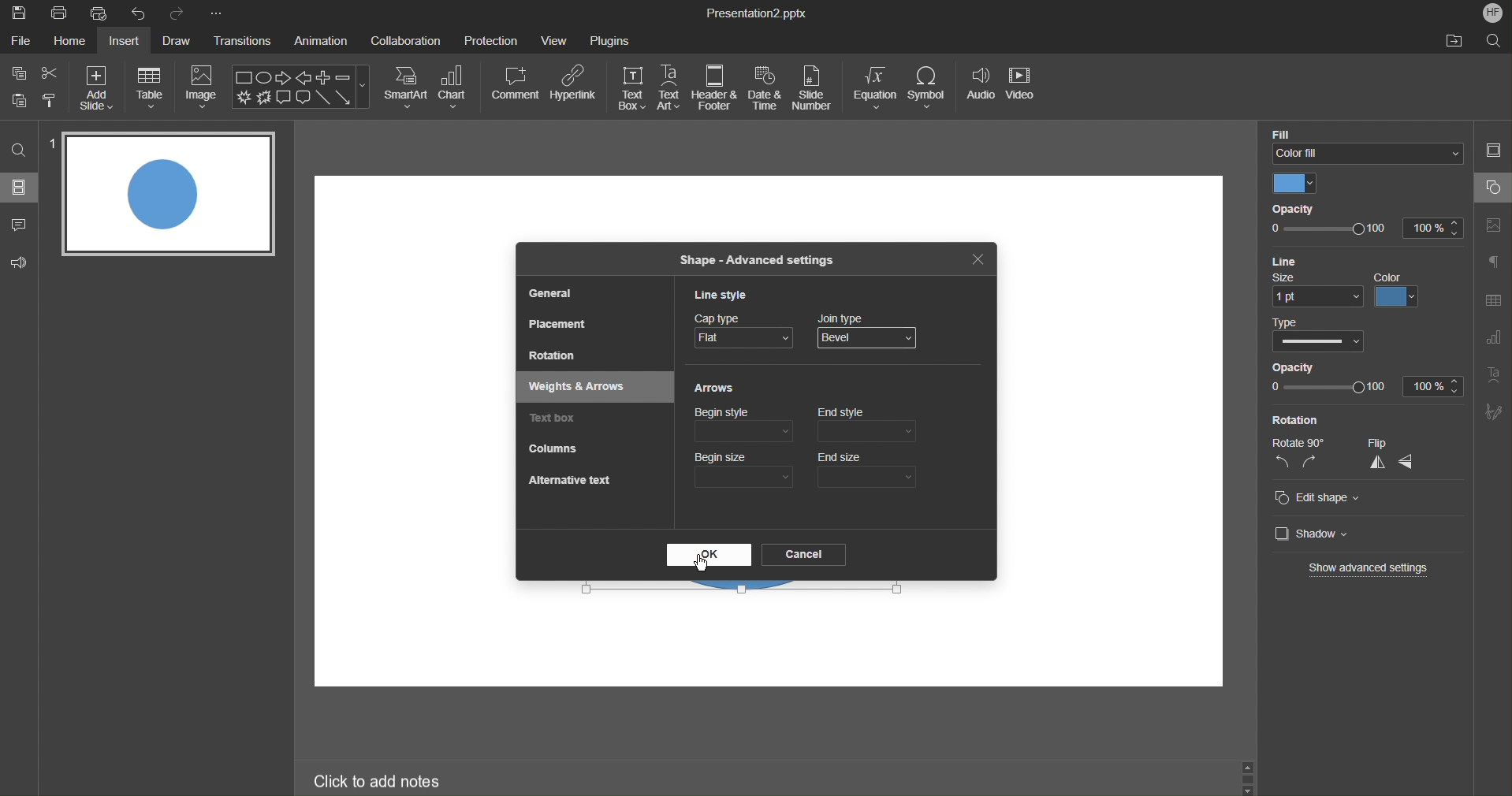 Image resolution: width=1512 pixels, height=796 pixels. I want to click on Slide 1, so click(166, 193).